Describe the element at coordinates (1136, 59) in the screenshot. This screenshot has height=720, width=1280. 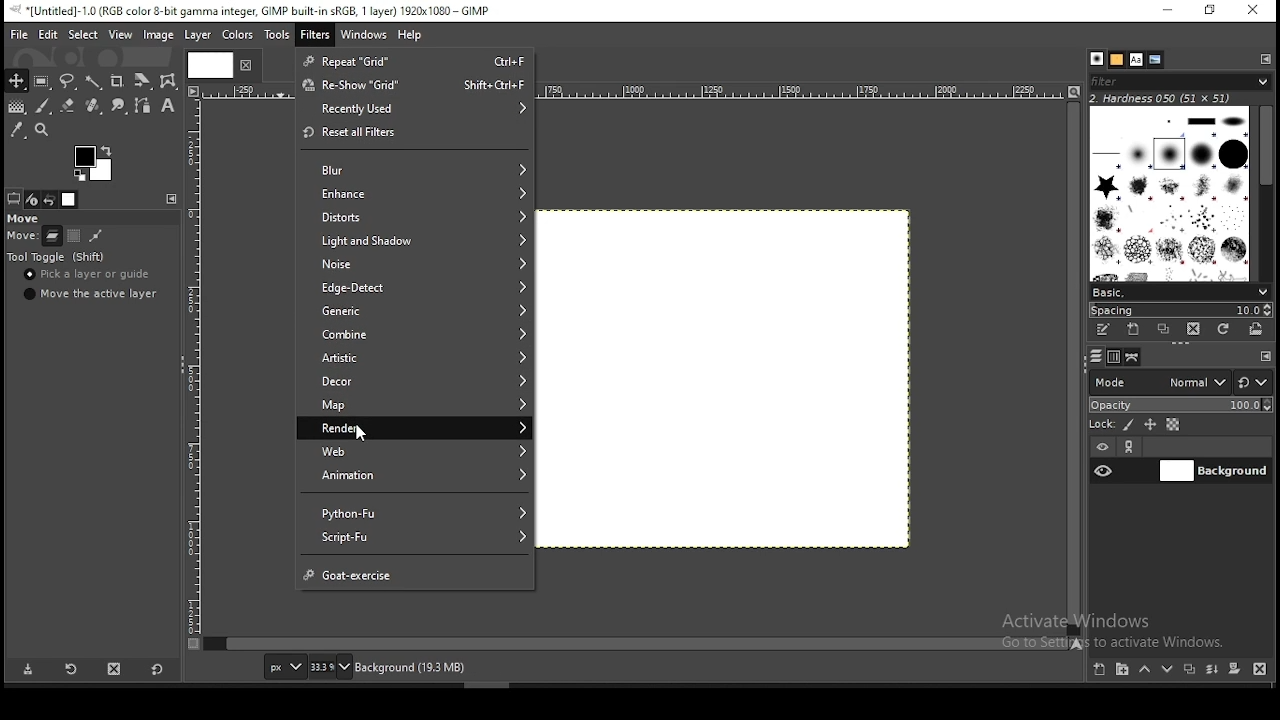
I see `fonts` at that location.